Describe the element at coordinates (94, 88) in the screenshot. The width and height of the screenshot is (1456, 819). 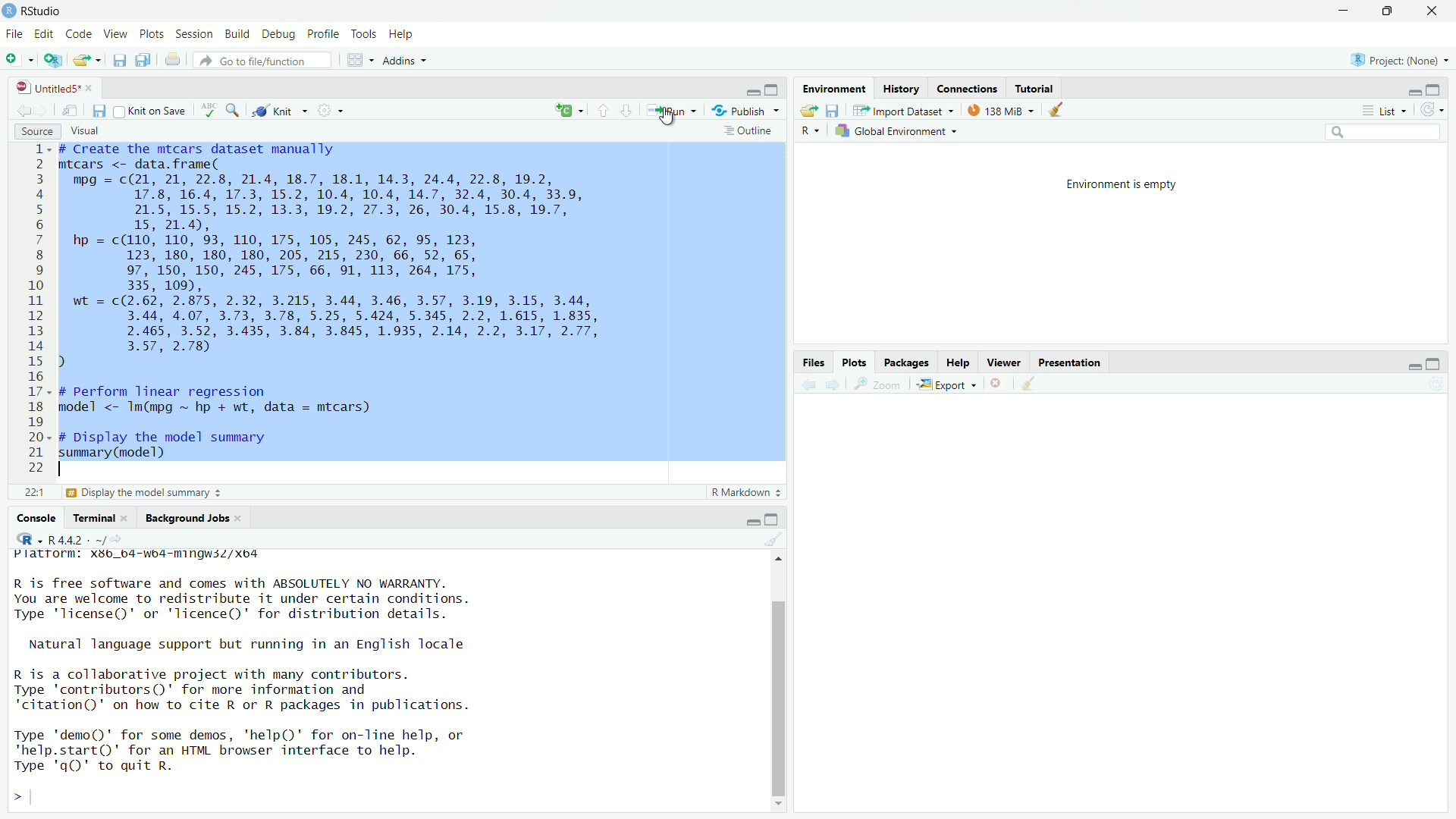
I see `close` at that location.